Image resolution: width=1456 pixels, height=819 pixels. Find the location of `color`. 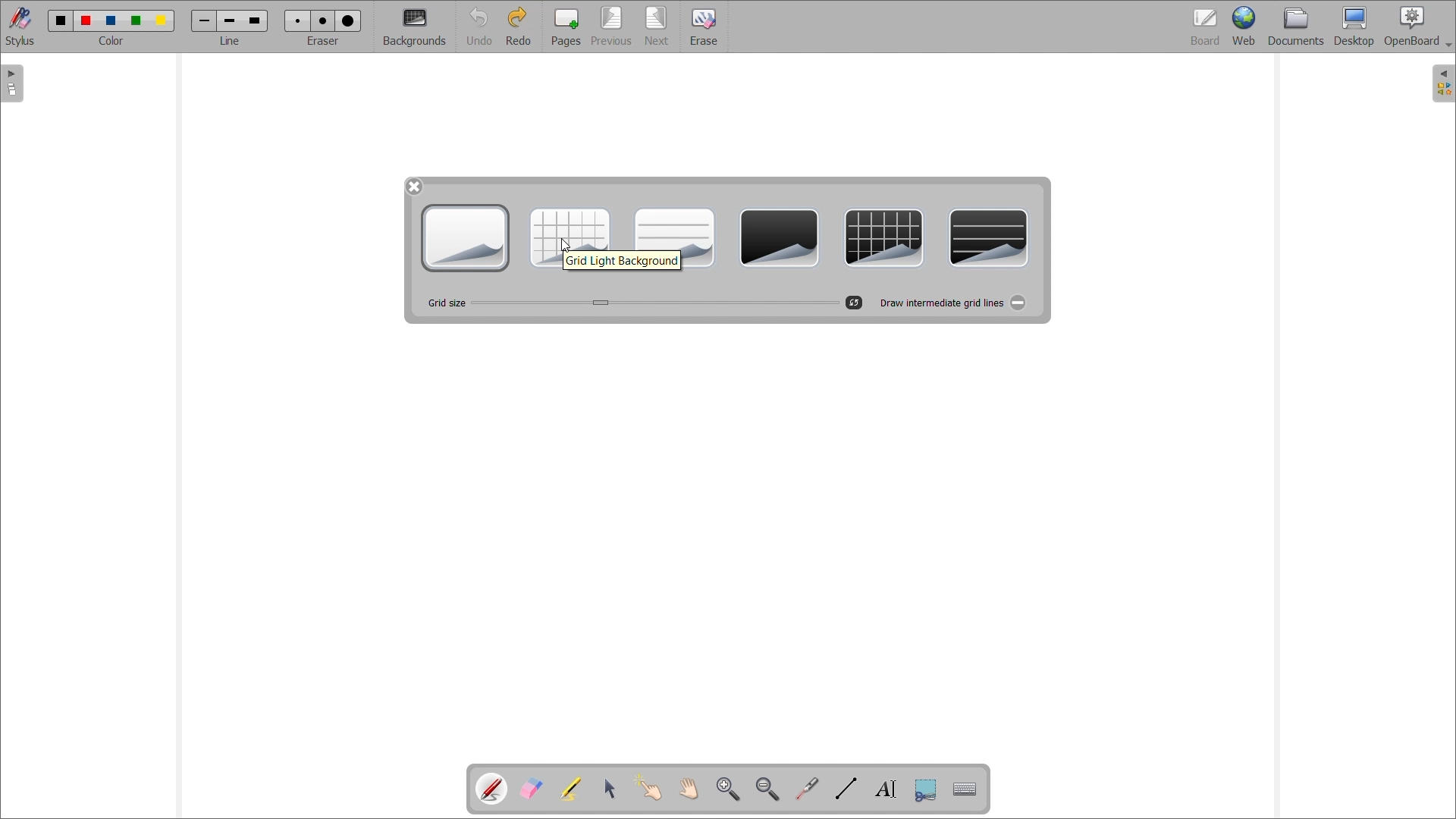

color is located at coordinates (115, 42).